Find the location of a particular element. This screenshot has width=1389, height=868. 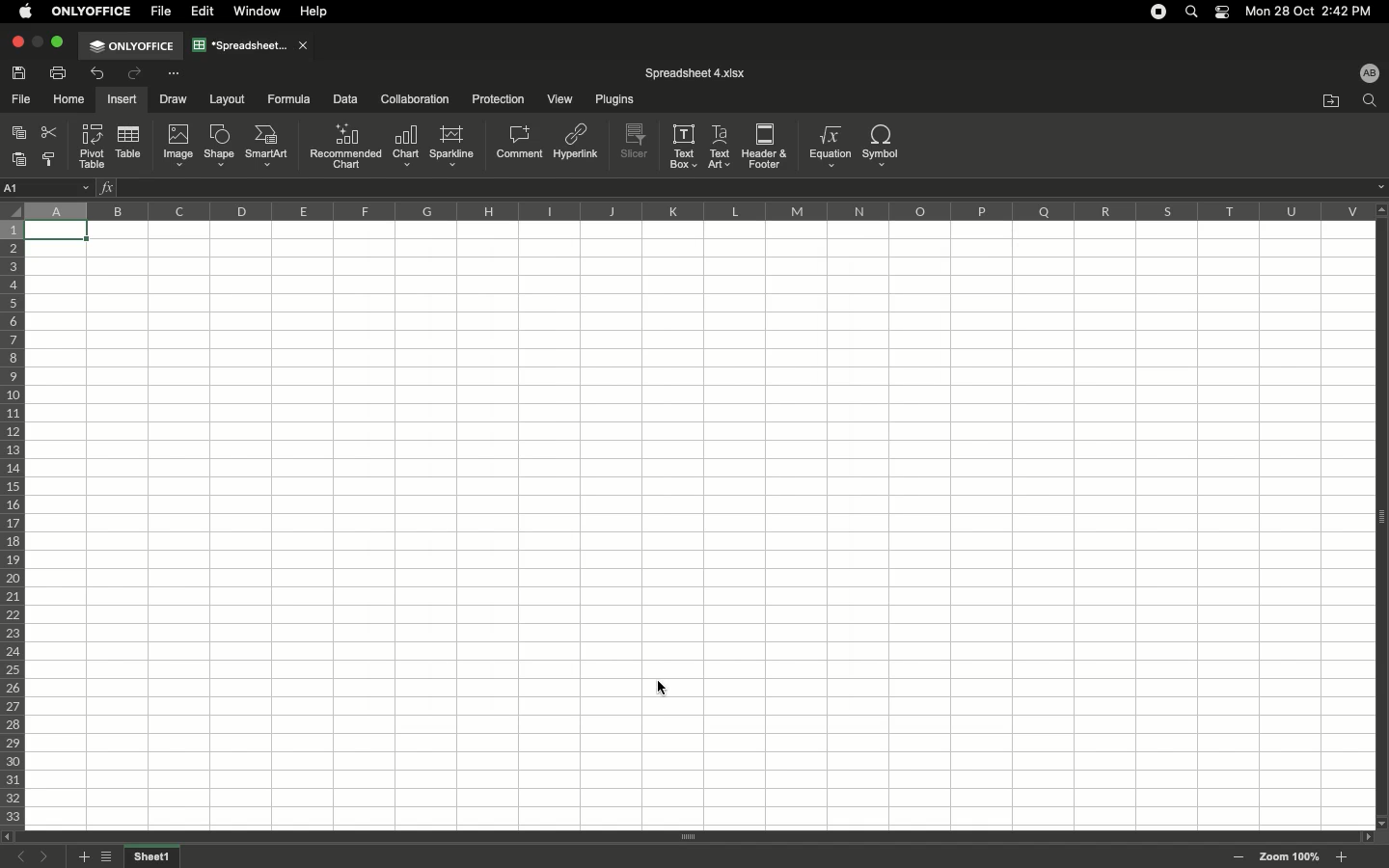

Save is located at coordinates (22, 72).